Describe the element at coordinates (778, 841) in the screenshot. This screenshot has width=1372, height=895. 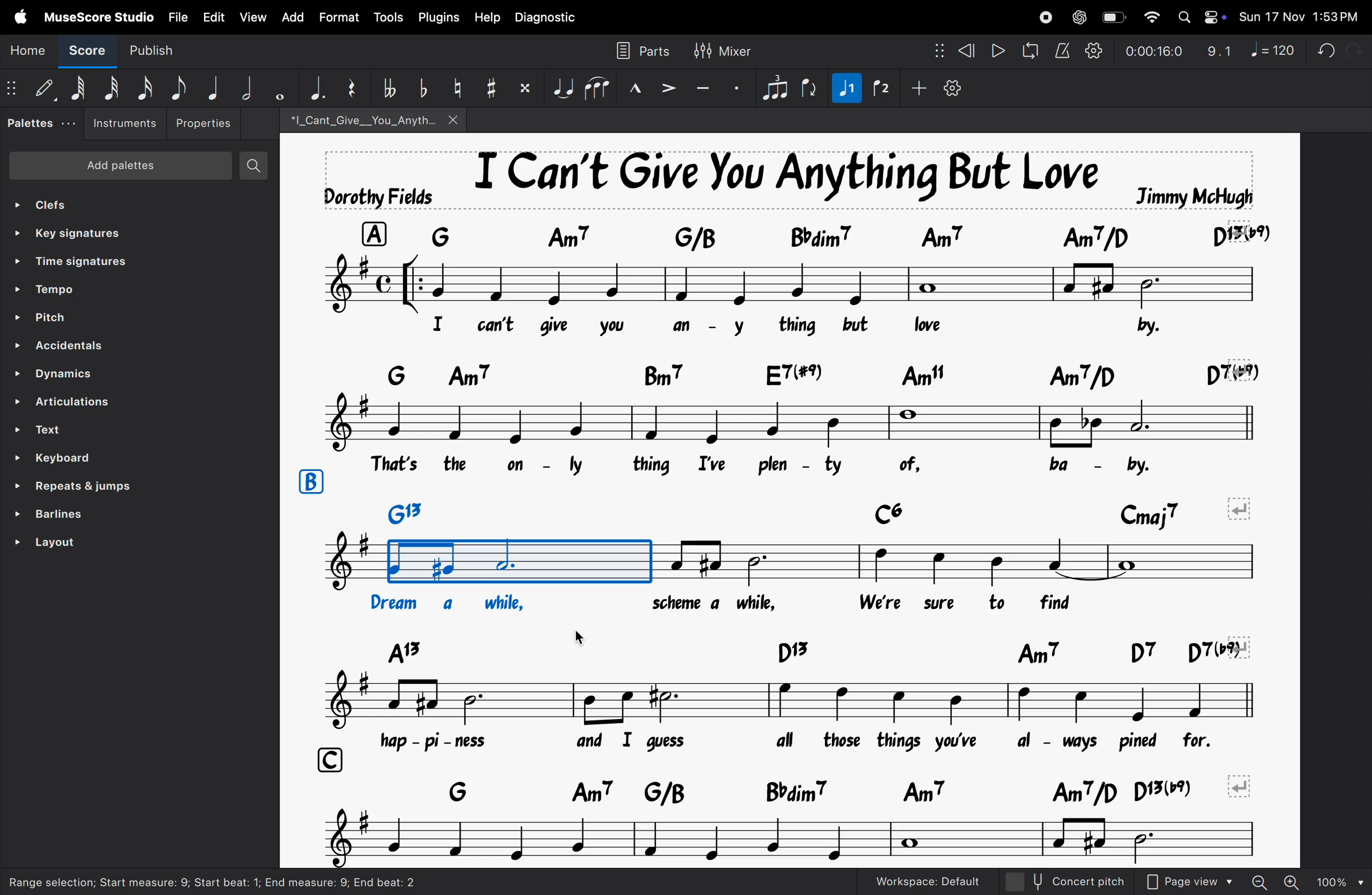
I see `notes` at that location.